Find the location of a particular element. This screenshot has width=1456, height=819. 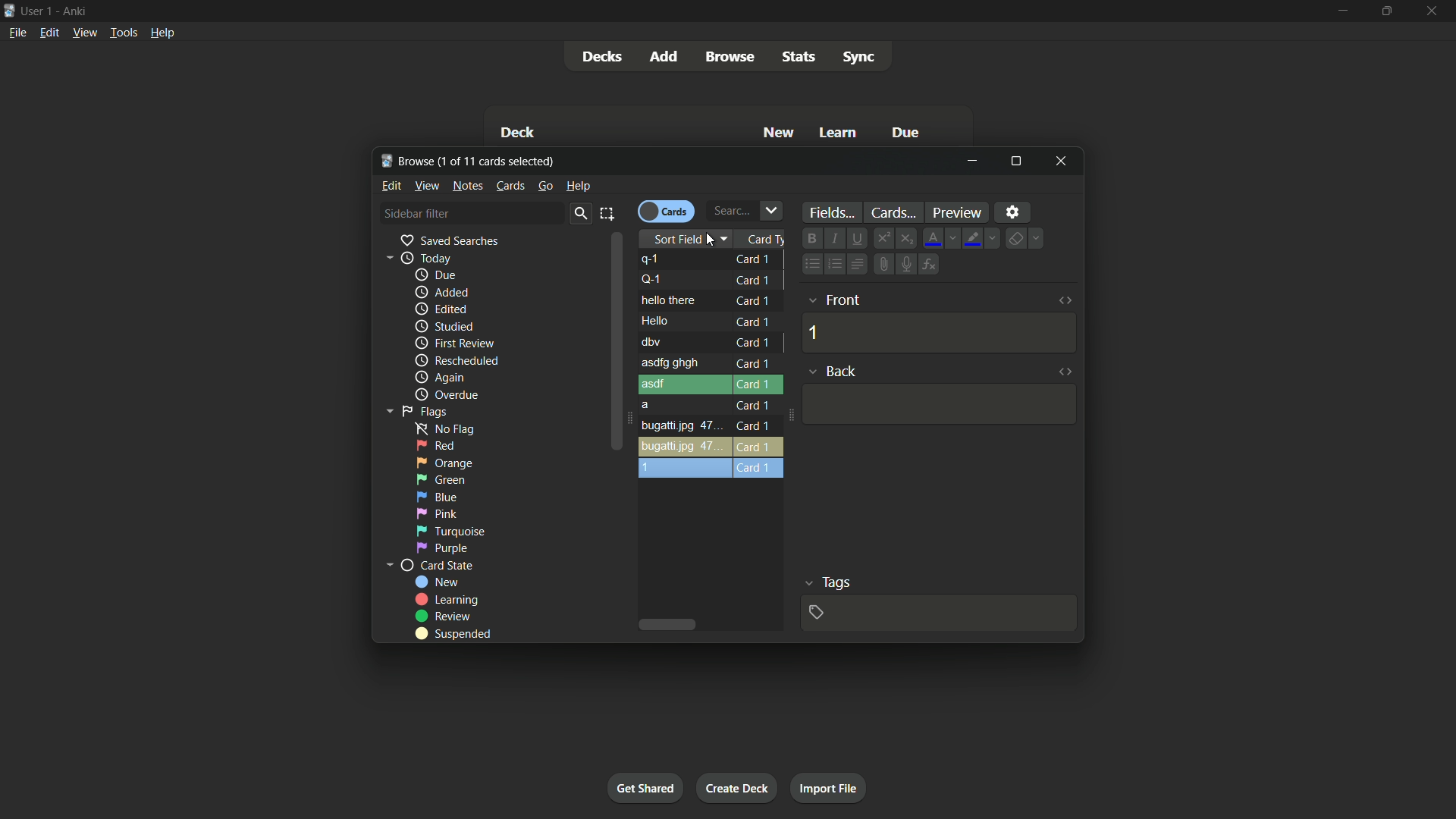

text highlight is located at coordinates (974, 240).